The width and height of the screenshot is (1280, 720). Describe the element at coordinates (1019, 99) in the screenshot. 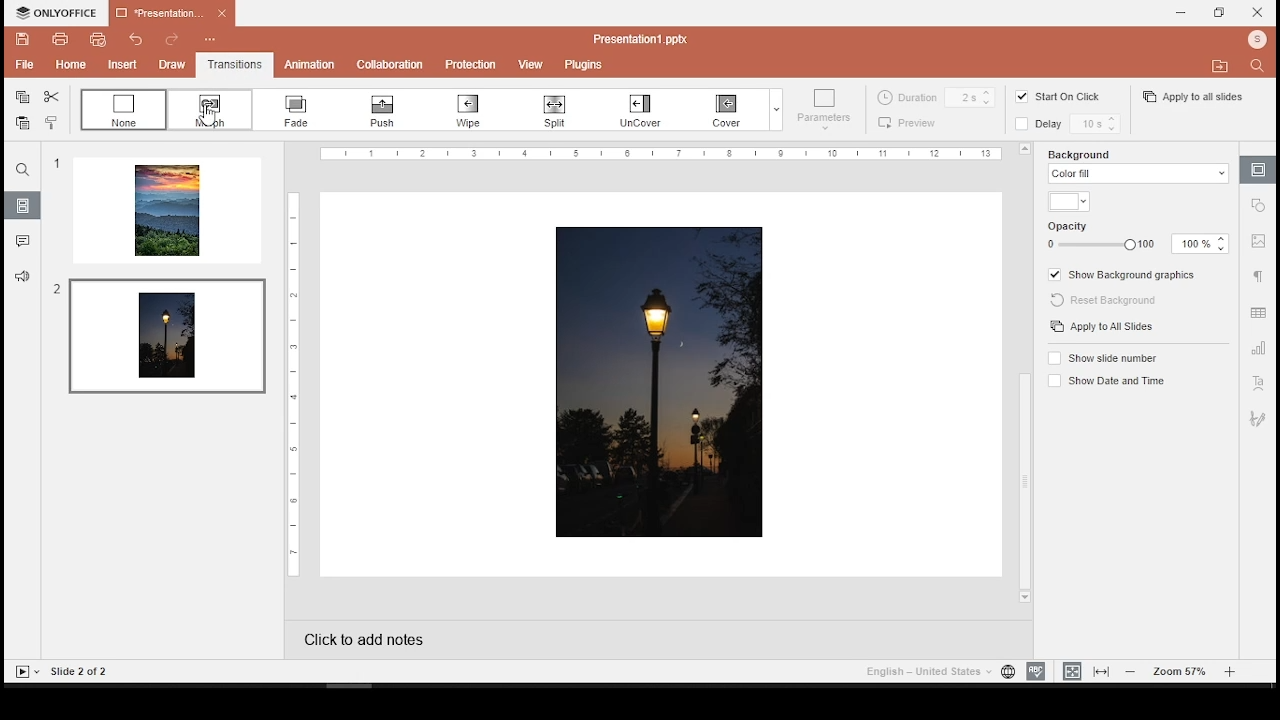

I see `slide style` at that location.